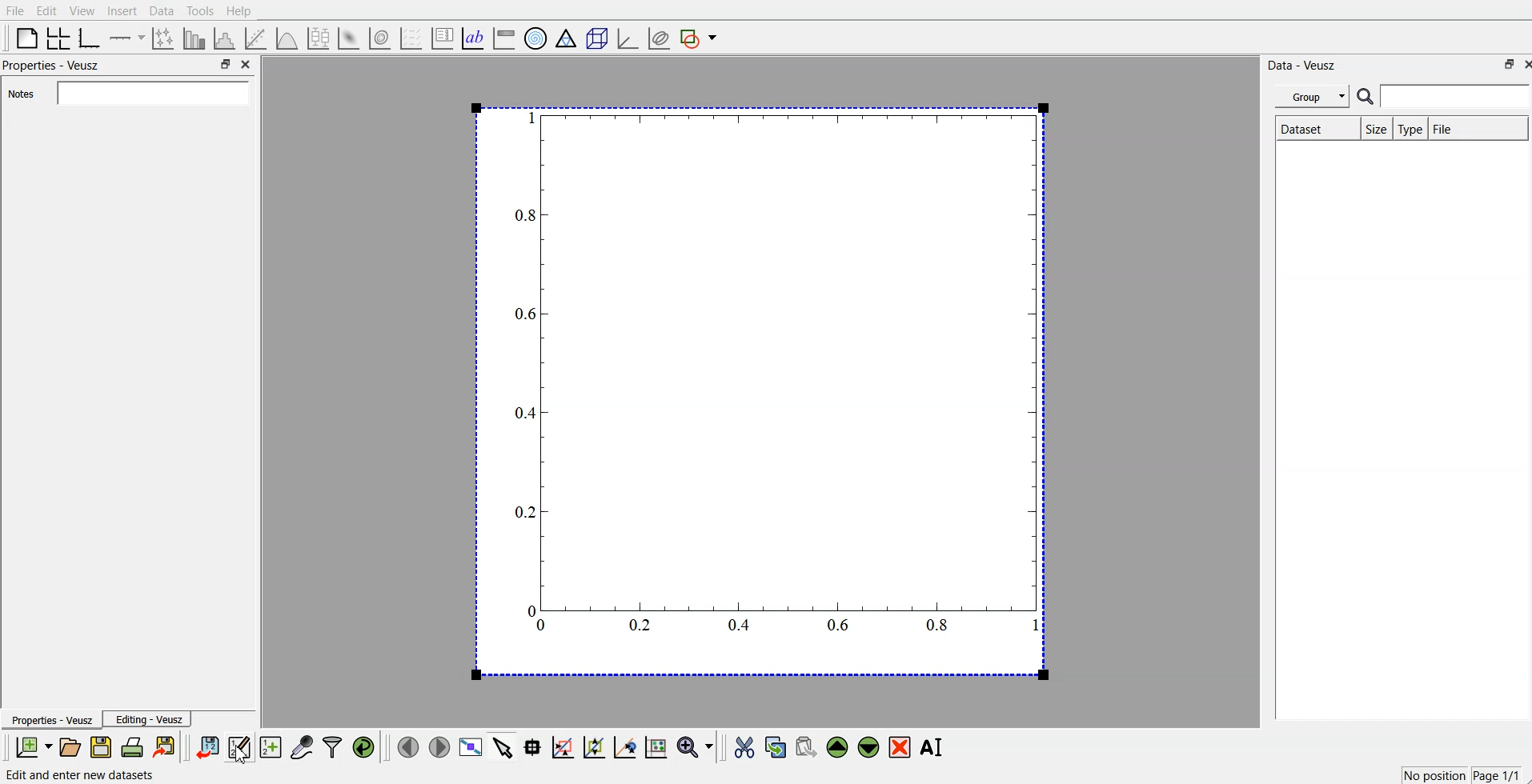  Describe the element at coordinates (439, 746) in the screenshot. I see `move to next page` at that location.